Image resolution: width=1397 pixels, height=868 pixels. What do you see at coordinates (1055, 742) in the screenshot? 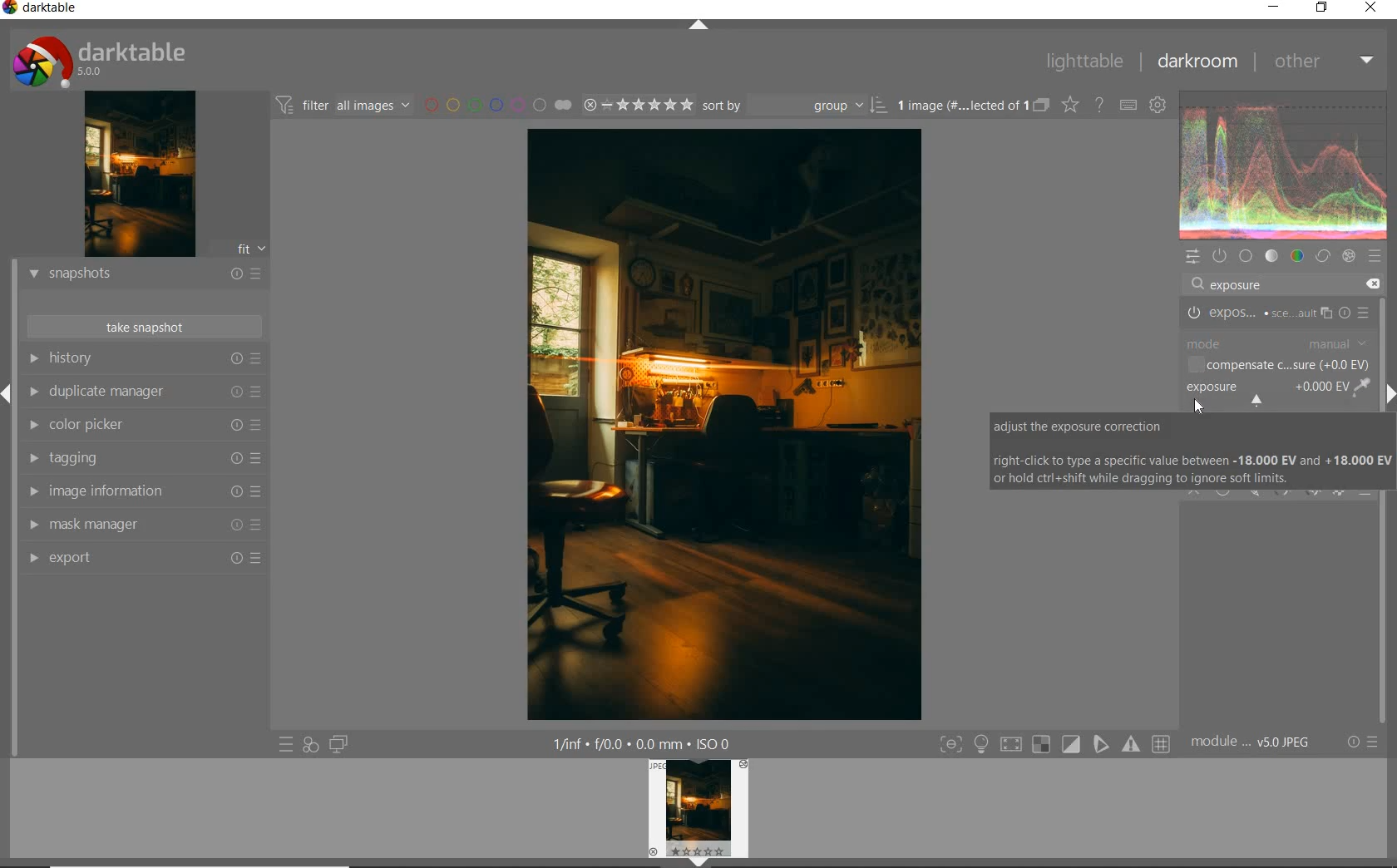
I see `toggle modes` at bounding box center [1055, 742].